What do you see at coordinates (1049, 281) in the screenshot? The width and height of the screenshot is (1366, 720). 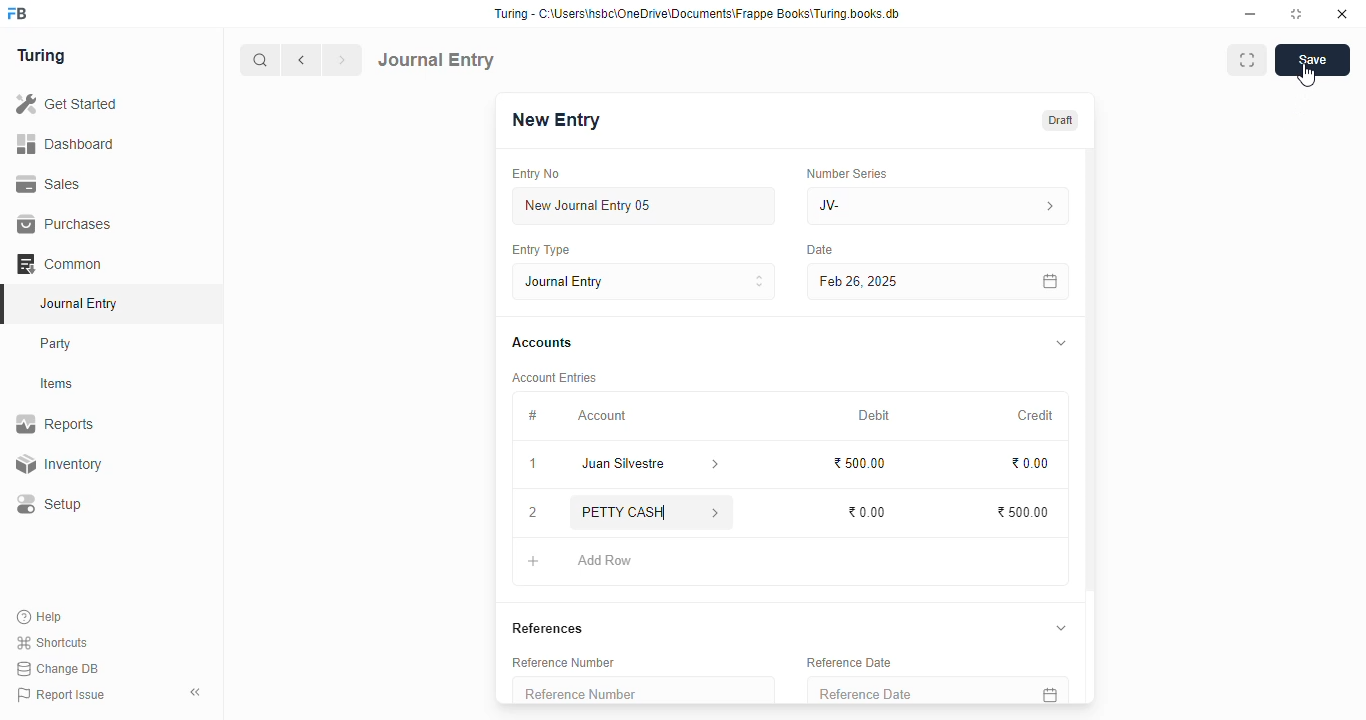 I see `calendar icon` at bounding box center [1049, 281].